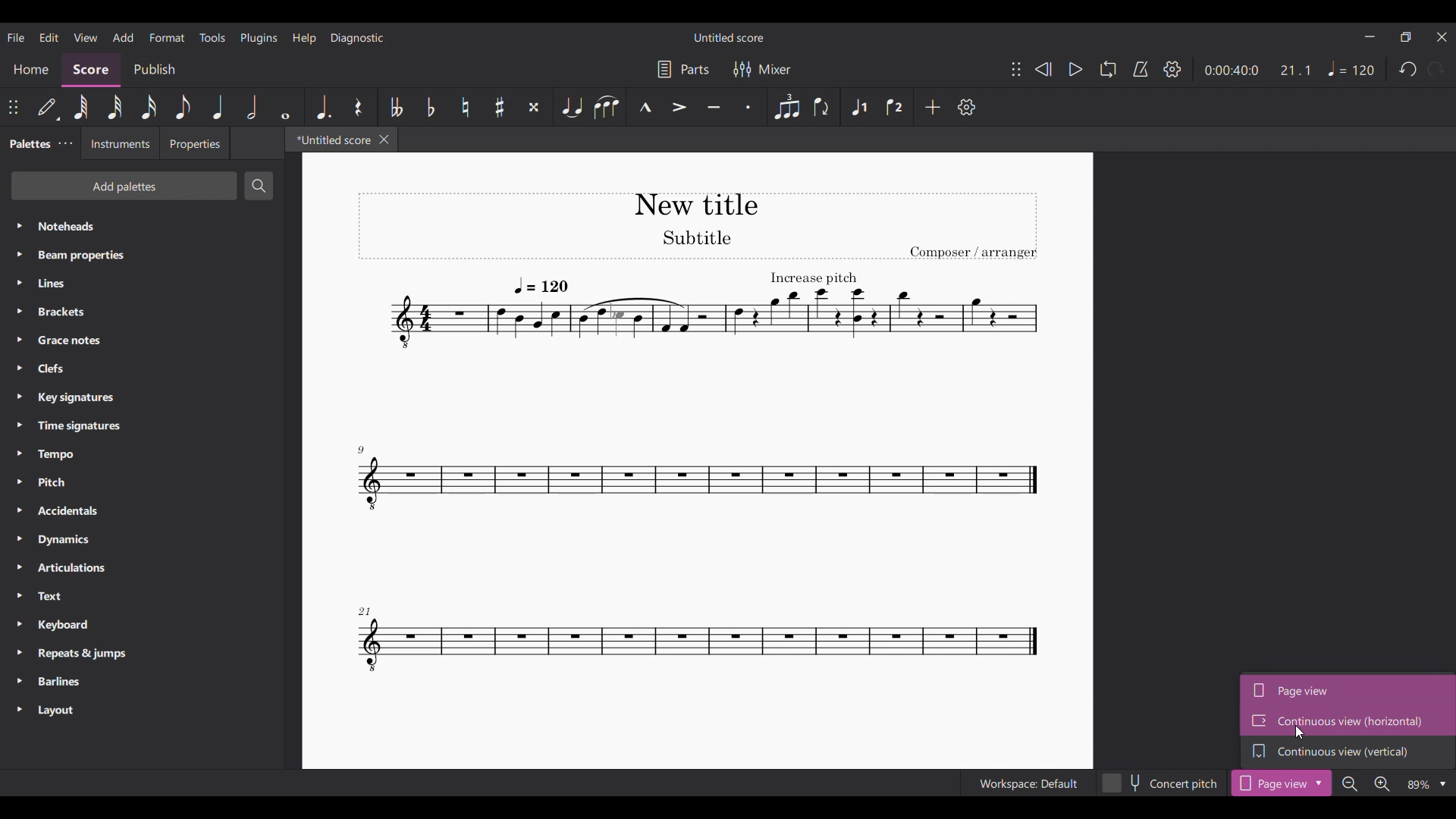 The image size is (1456, 819). I want to click on Workspace: Default, so click(1027, 783).